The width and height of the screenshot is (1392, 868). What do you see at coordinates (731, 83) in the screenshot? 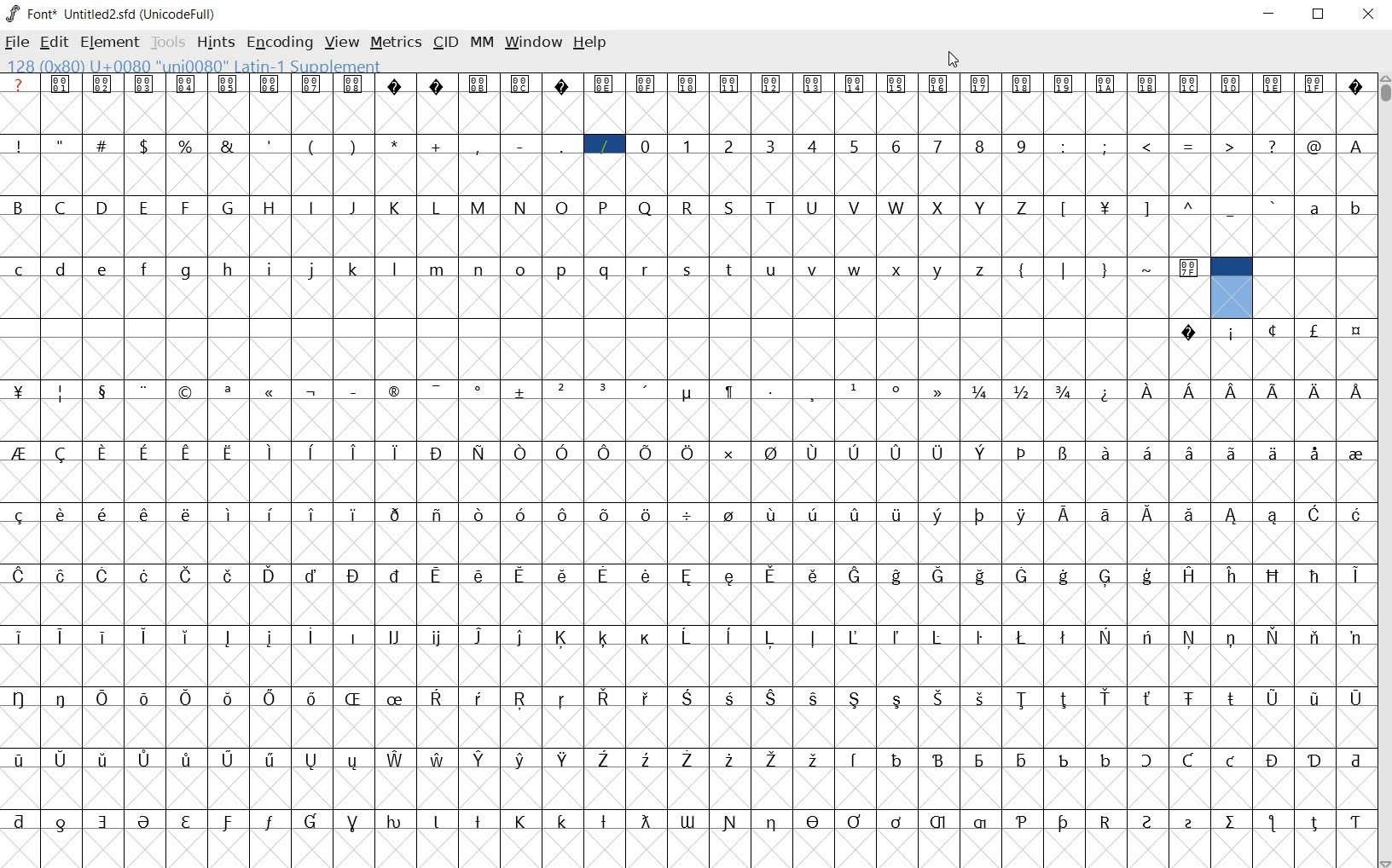
I see `Symbol` at bounding box center [731, 83].